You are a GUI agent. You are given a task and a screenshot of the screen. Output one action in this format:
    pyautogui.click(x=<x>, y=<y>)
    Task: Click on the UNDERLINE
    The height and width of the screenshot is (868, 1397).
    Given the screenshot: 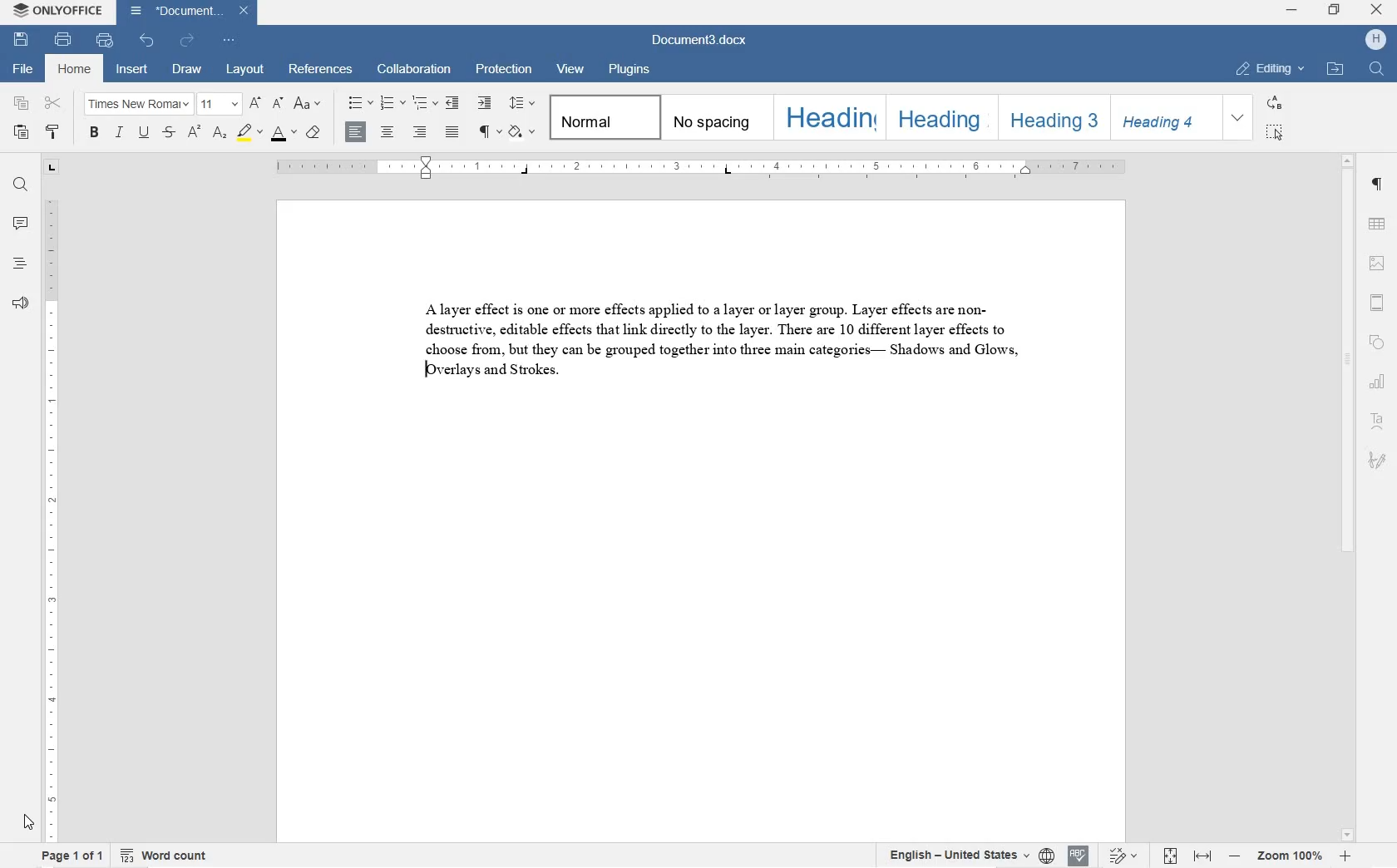 What is the action you would take?
    pyautogui.click(x=143, y=133)
    